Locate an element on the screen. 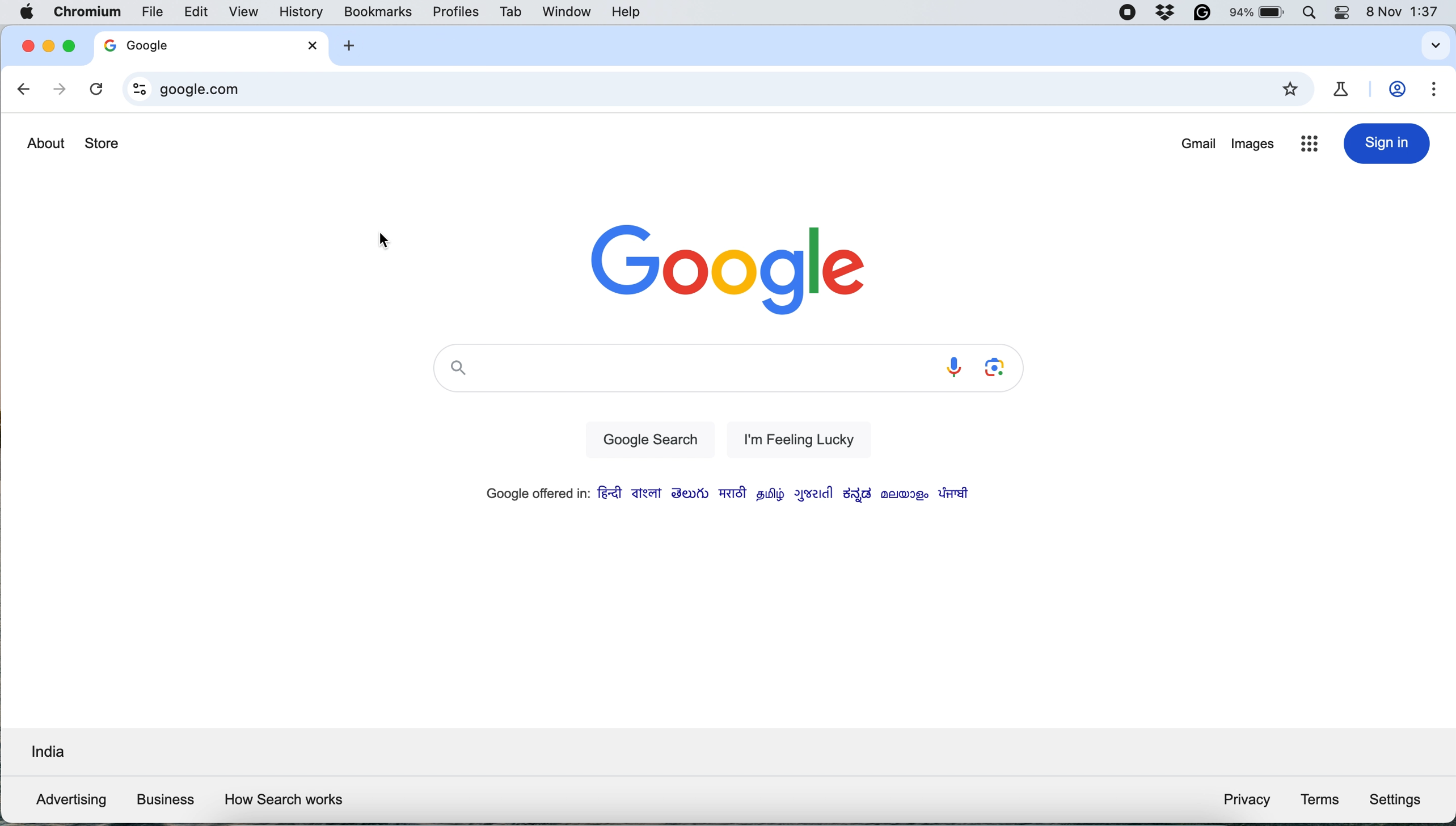 The image size is (1456, 826). sign in is located at coordinates (1387, 144).